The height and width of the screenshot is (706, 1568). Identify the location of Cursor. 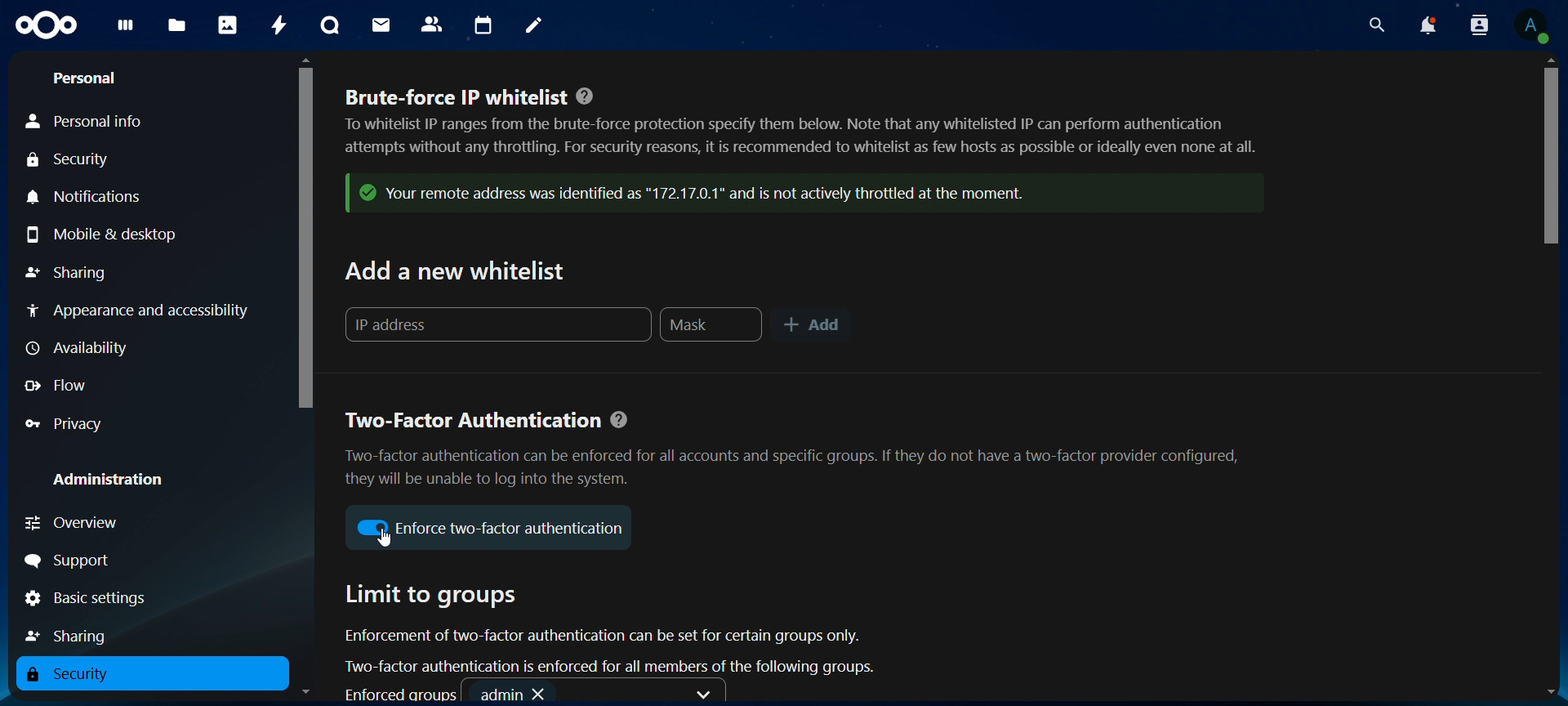
(384, 543).